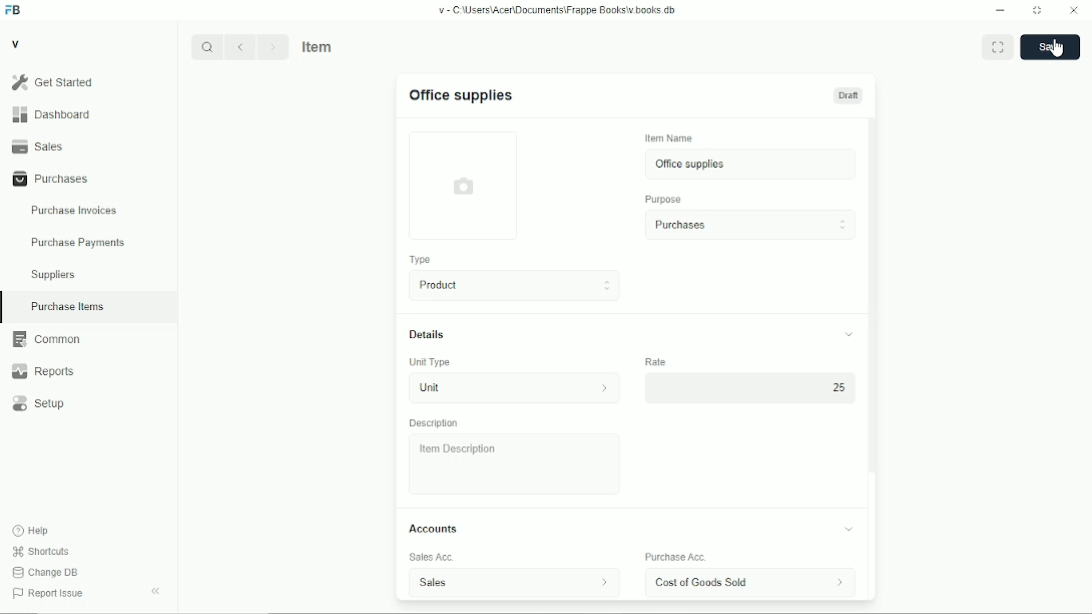 This screenshot has height=614, width=1092. What do you see at coordinates (17, 43) in the screenshot?
I see `v` at bounding box center [17, 43].